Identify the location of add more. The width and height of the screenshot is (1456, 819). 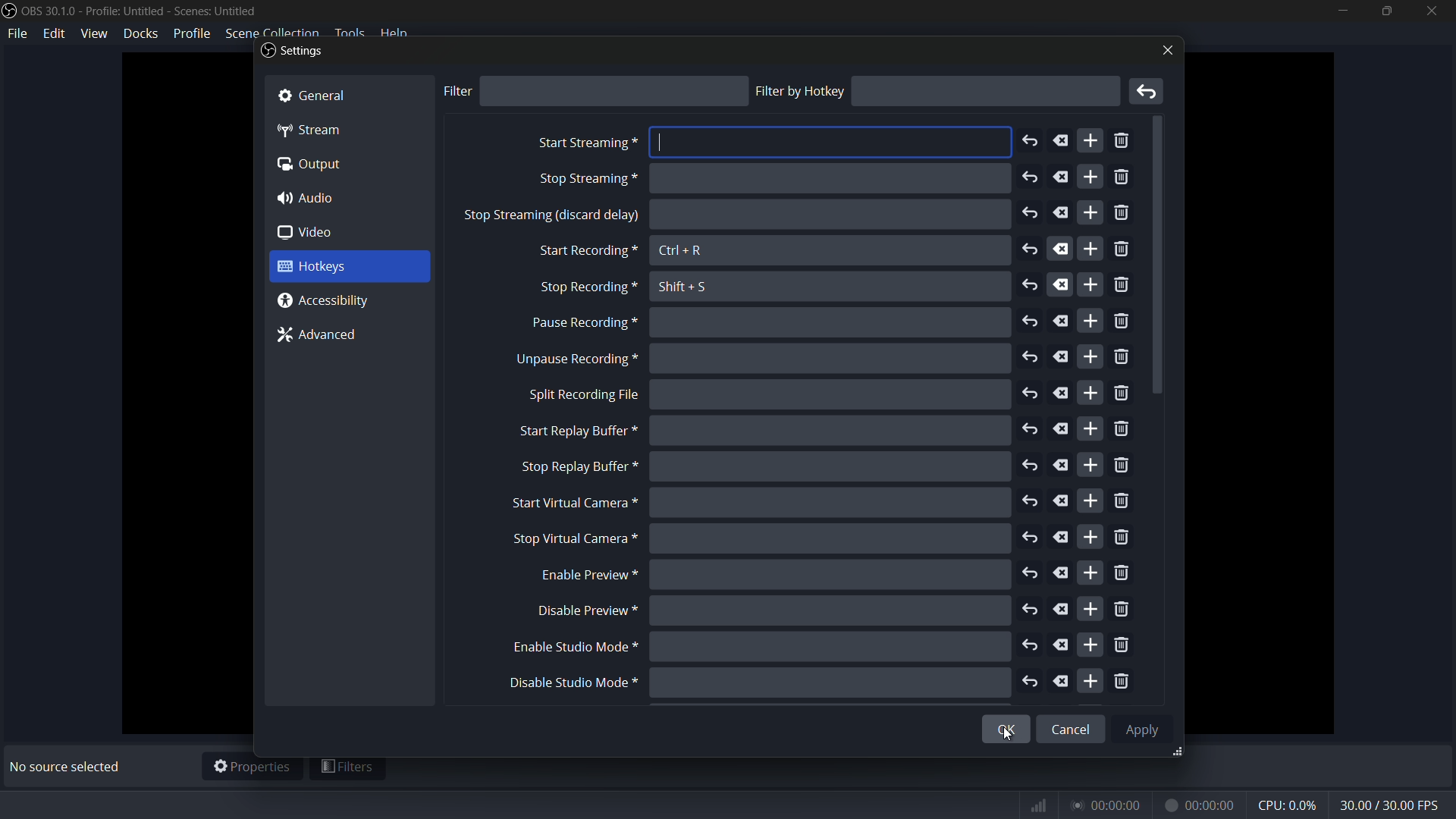
(1090, 322).